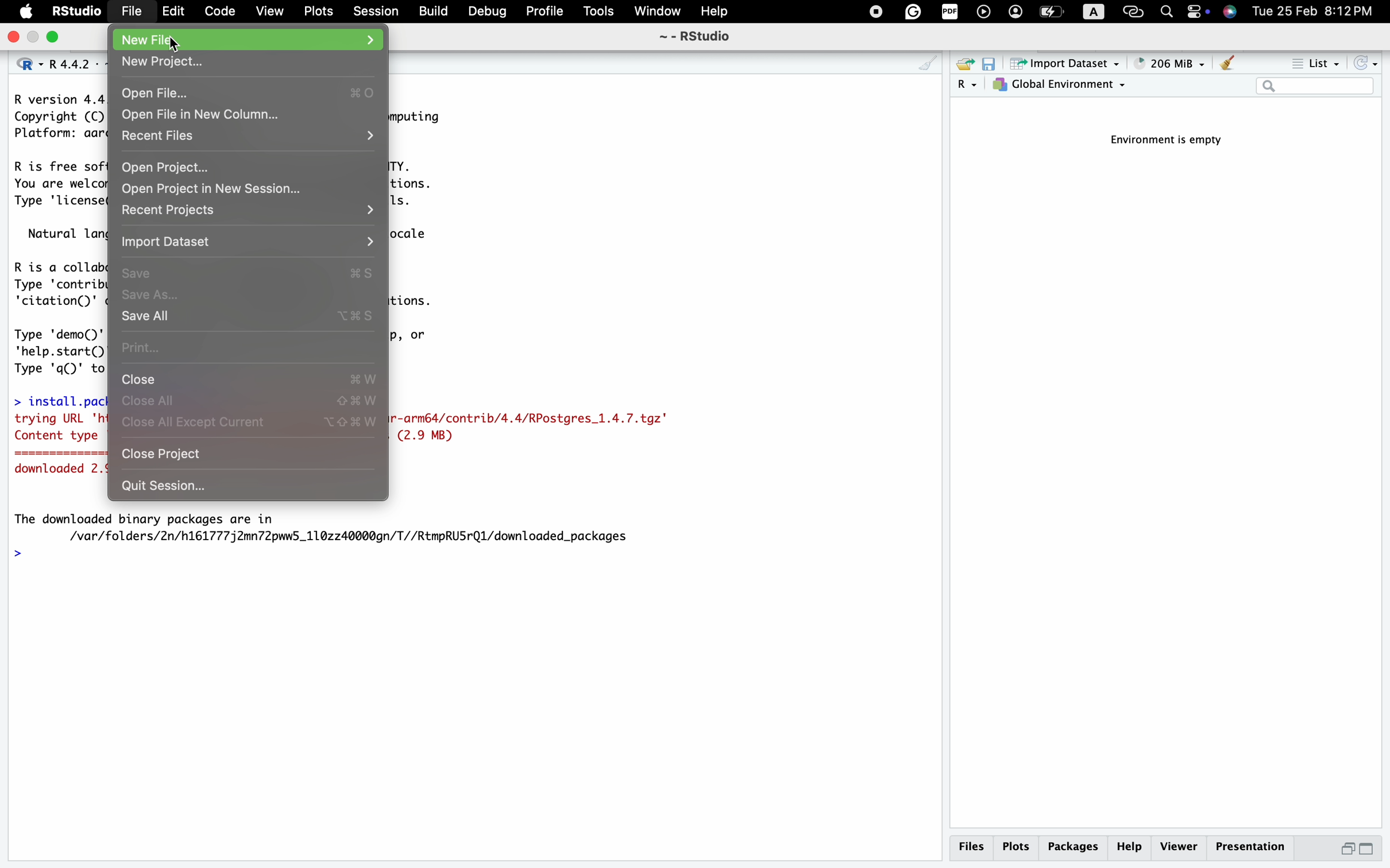 The height and width of the screenshot is (868, 1390). Describe the element at coordinates (600, 11) in the screenshot. I see `tools` at that location.